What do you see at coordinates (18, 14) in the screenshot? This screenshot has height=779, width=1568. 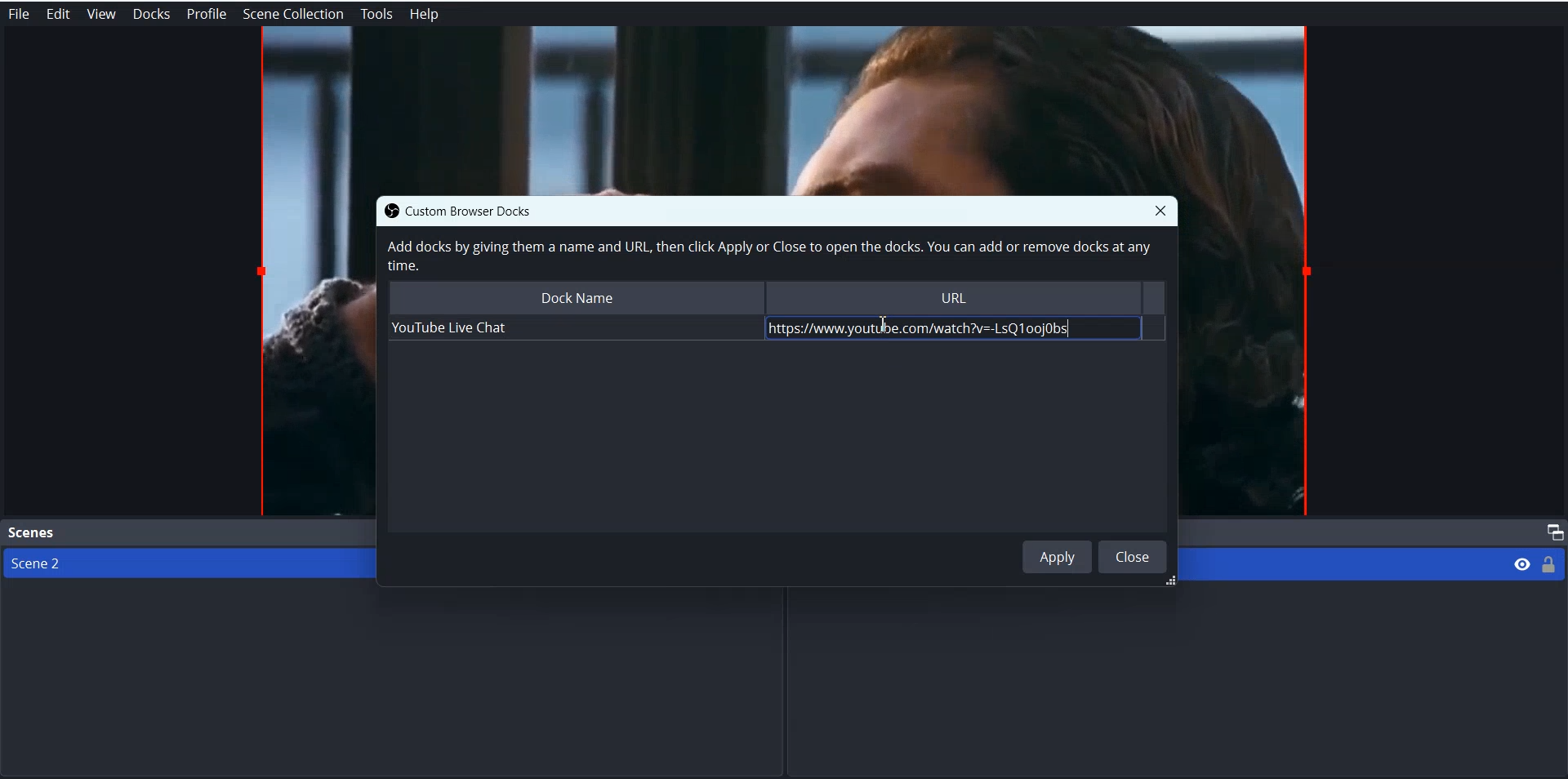 I see `File` at bounding box center [18, 14].